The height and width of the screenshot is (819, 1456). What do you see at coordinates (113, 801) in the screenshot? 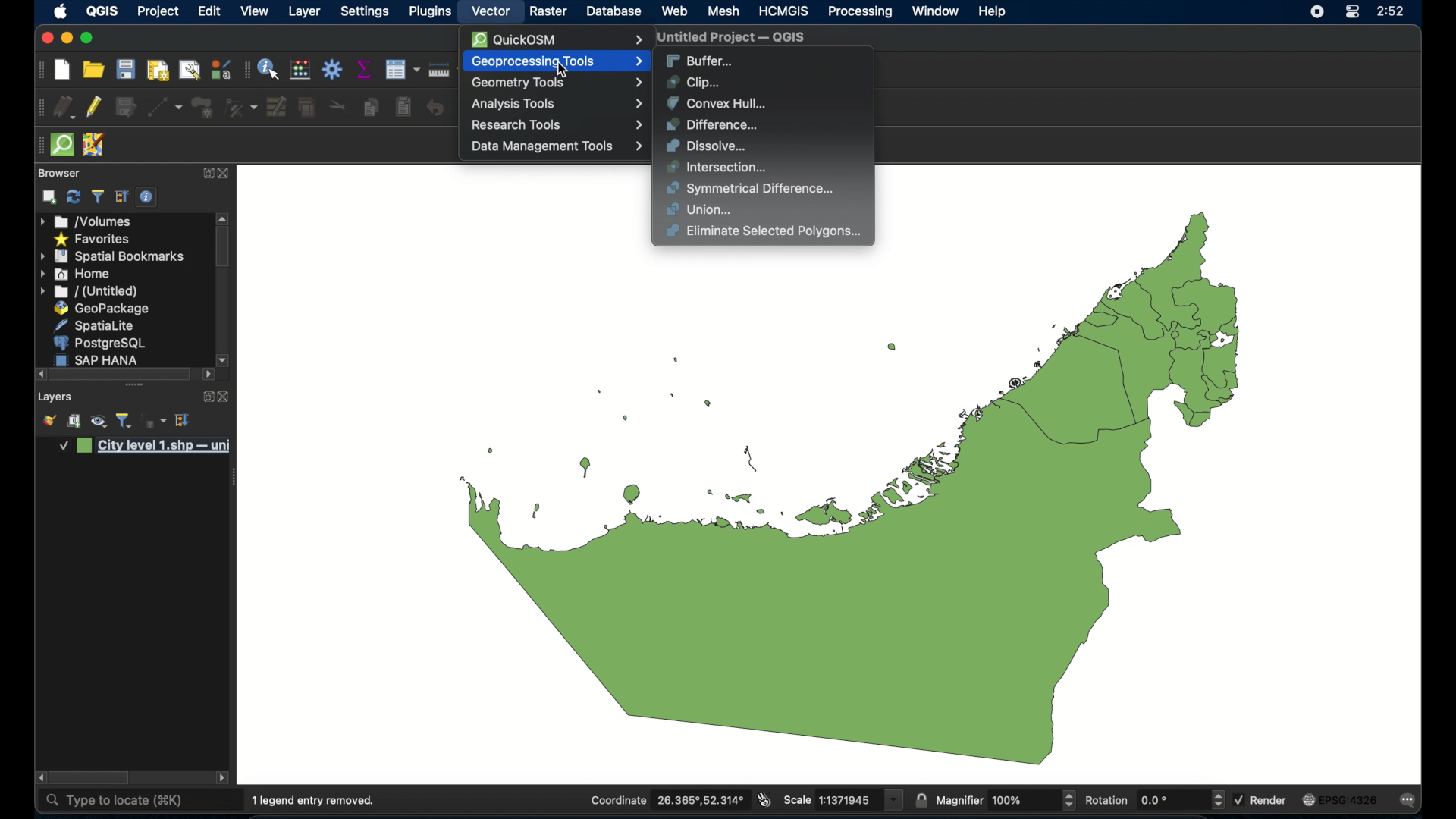
I see `type to locate` at bounding box center [113, 801].